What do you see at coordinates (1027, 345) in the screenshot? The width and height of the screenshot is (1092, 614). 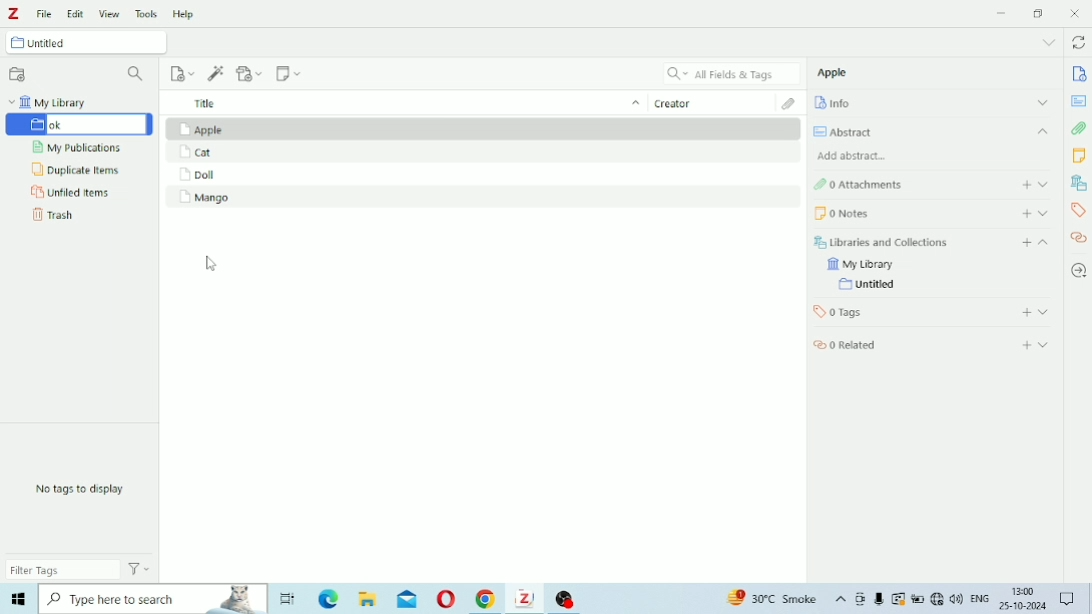 I see `Add` at bounding box center [1027, 345].